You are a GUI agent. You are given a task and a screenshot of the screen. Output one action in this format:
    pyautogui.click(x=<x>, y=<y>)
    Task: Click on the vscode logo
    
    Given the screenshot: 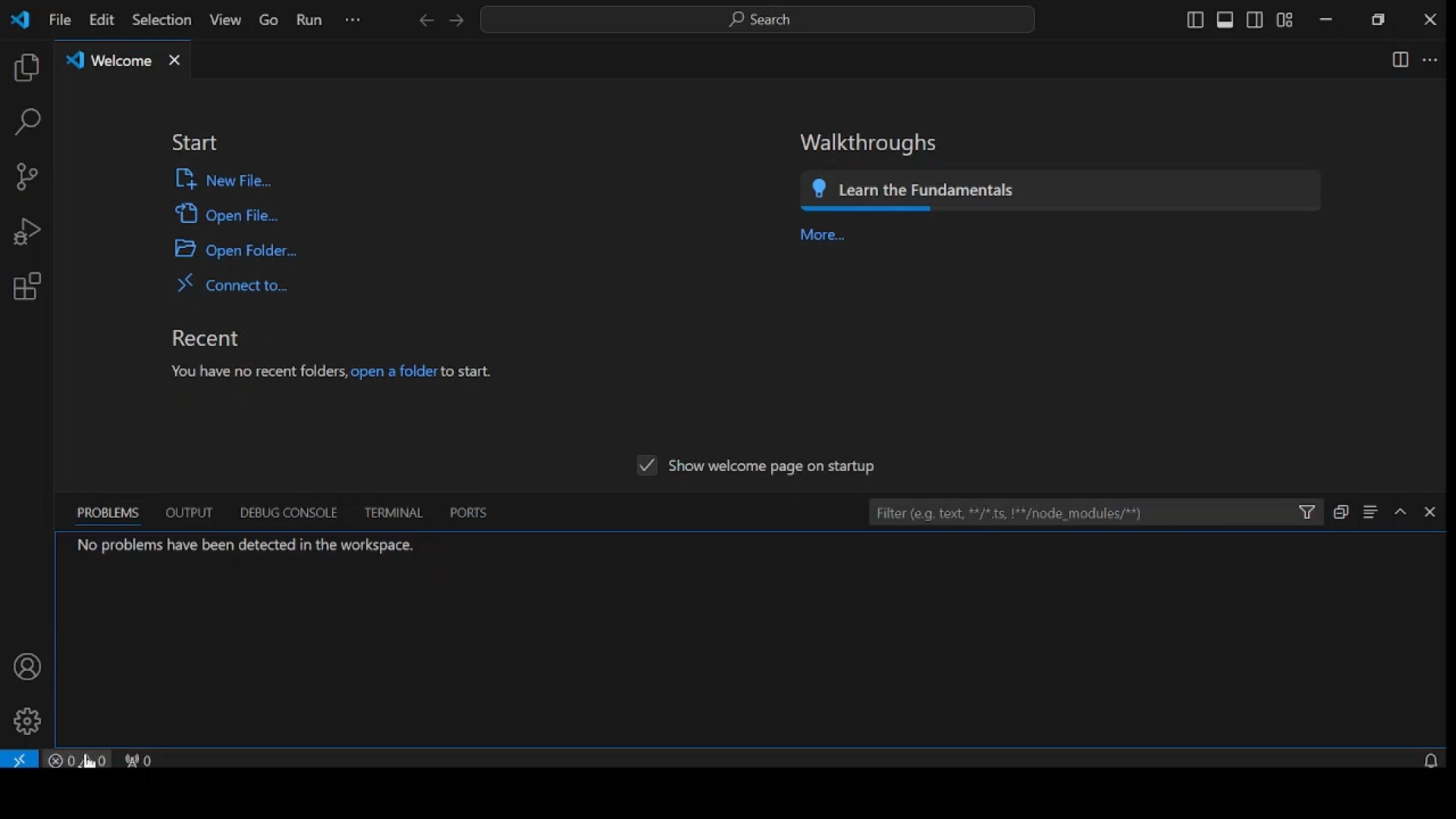 What is the action you would take?
    pyautogui.click(x=18, y=20)
    